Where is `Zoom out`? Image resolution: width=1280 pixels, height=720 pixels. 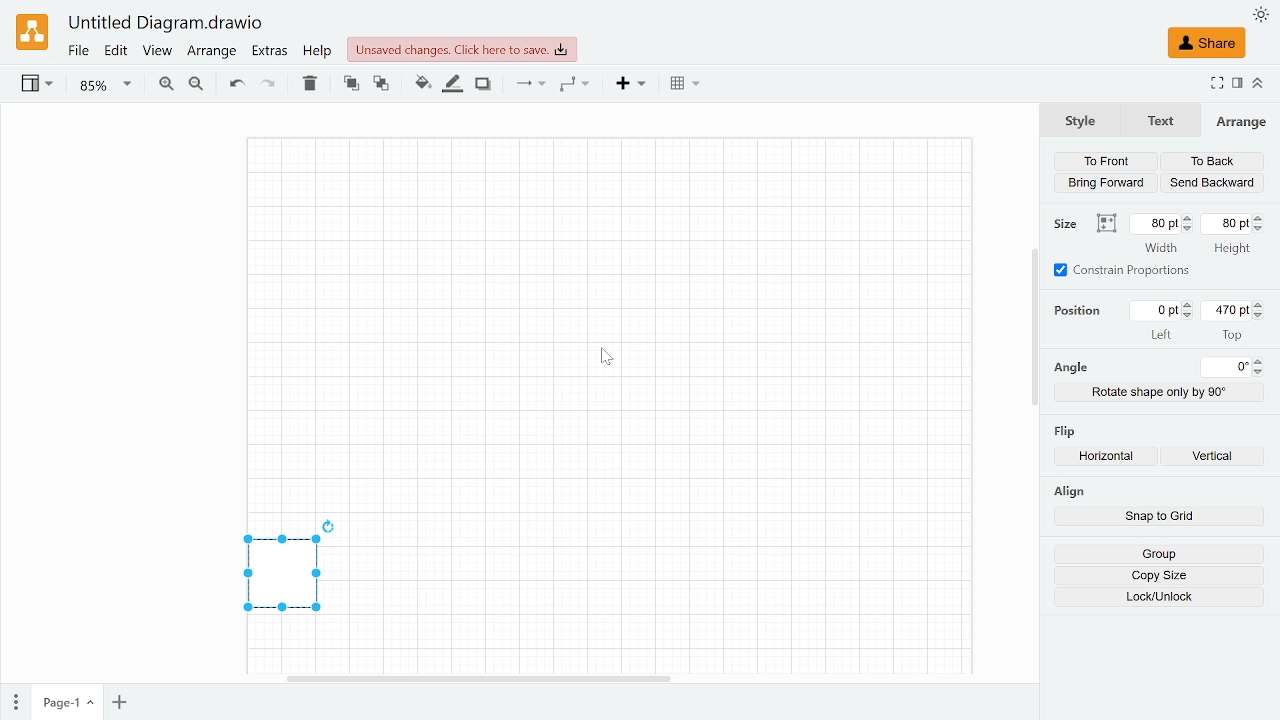 Zoom out is located at coordinates (196, 86).